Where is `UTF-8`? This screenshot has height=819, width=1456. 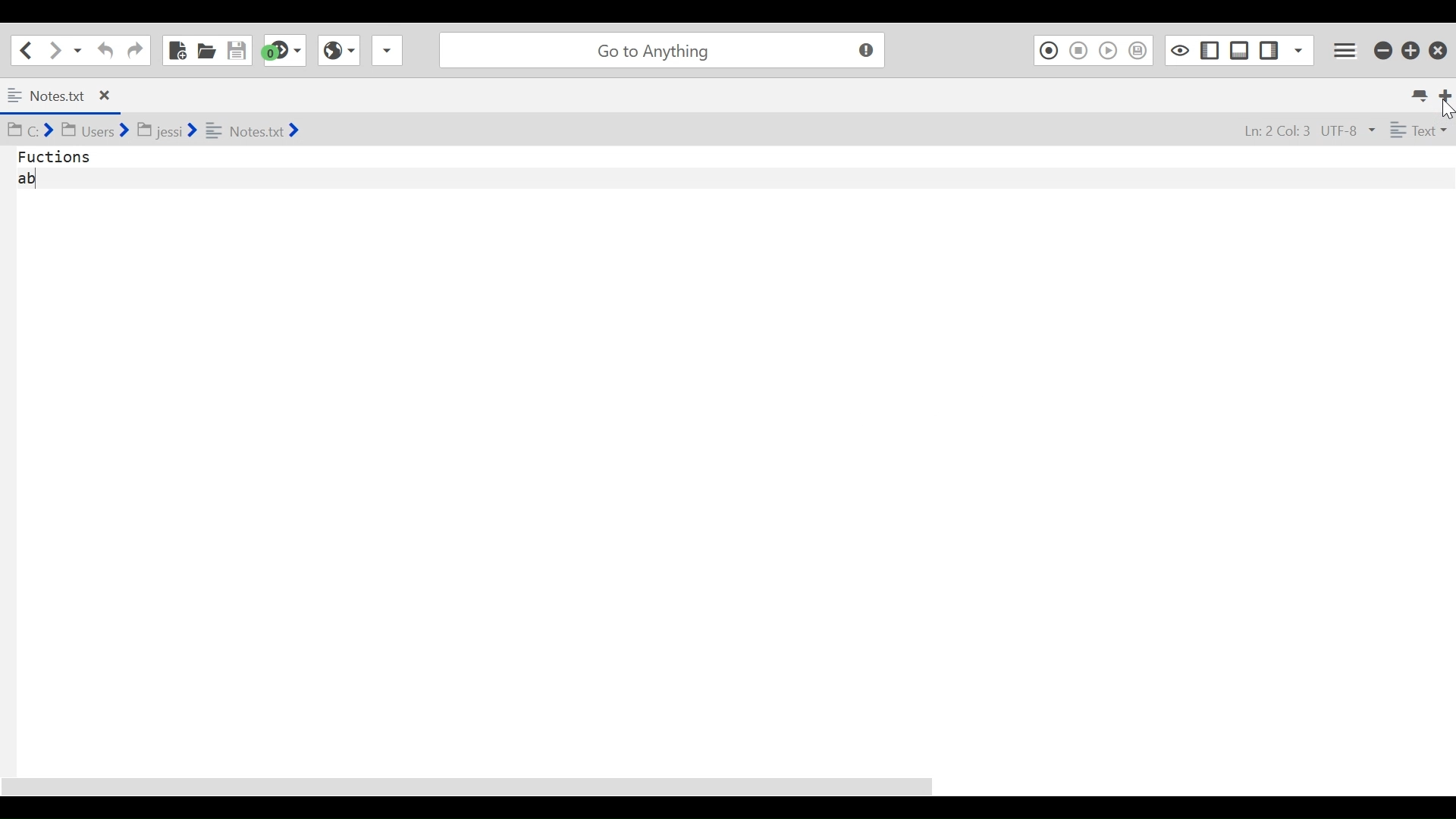
UTF-8 is located at coordinates (1350, 129).